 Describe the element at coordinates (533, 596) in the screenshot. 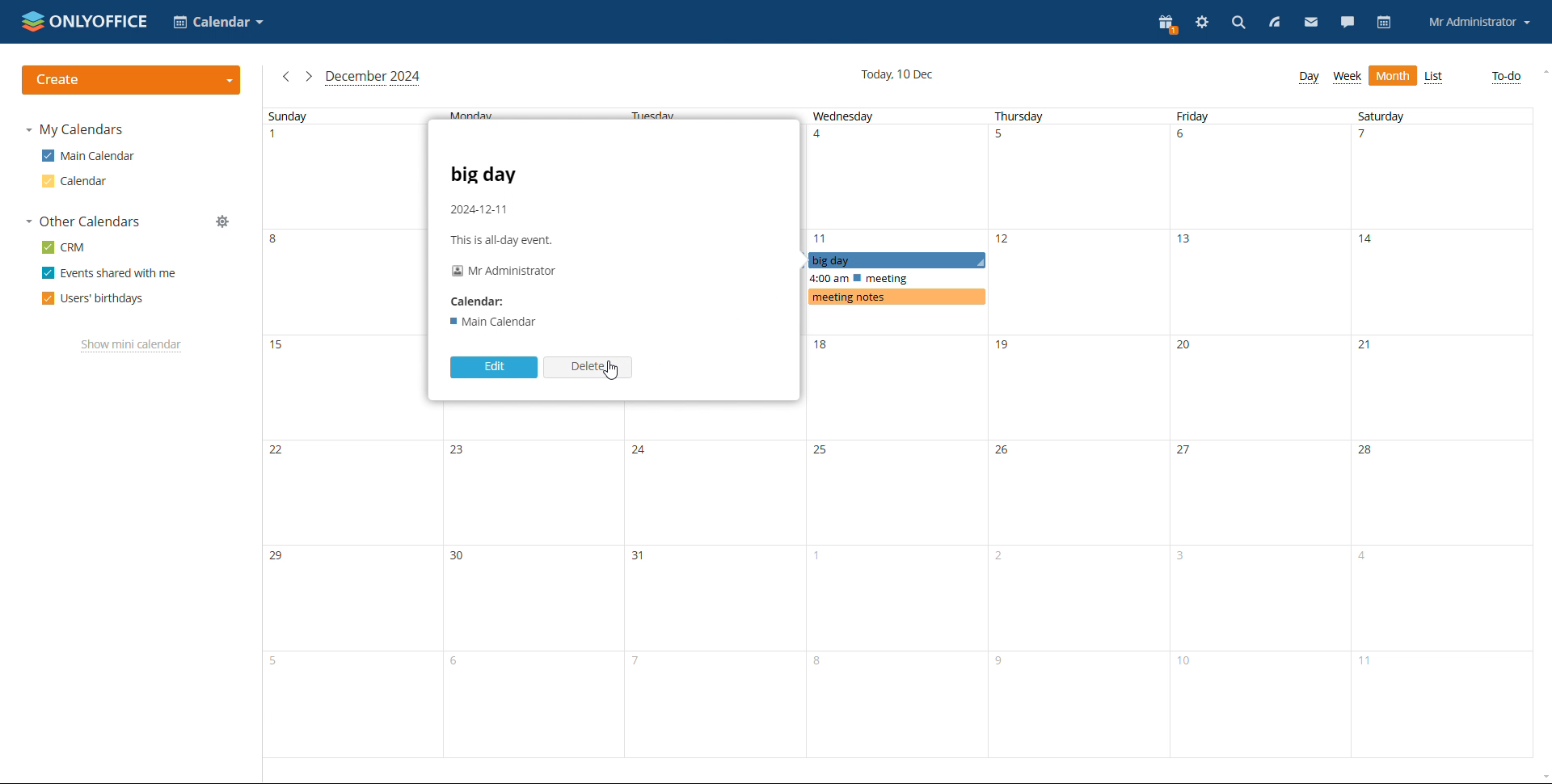

I see `Monday` at that location.